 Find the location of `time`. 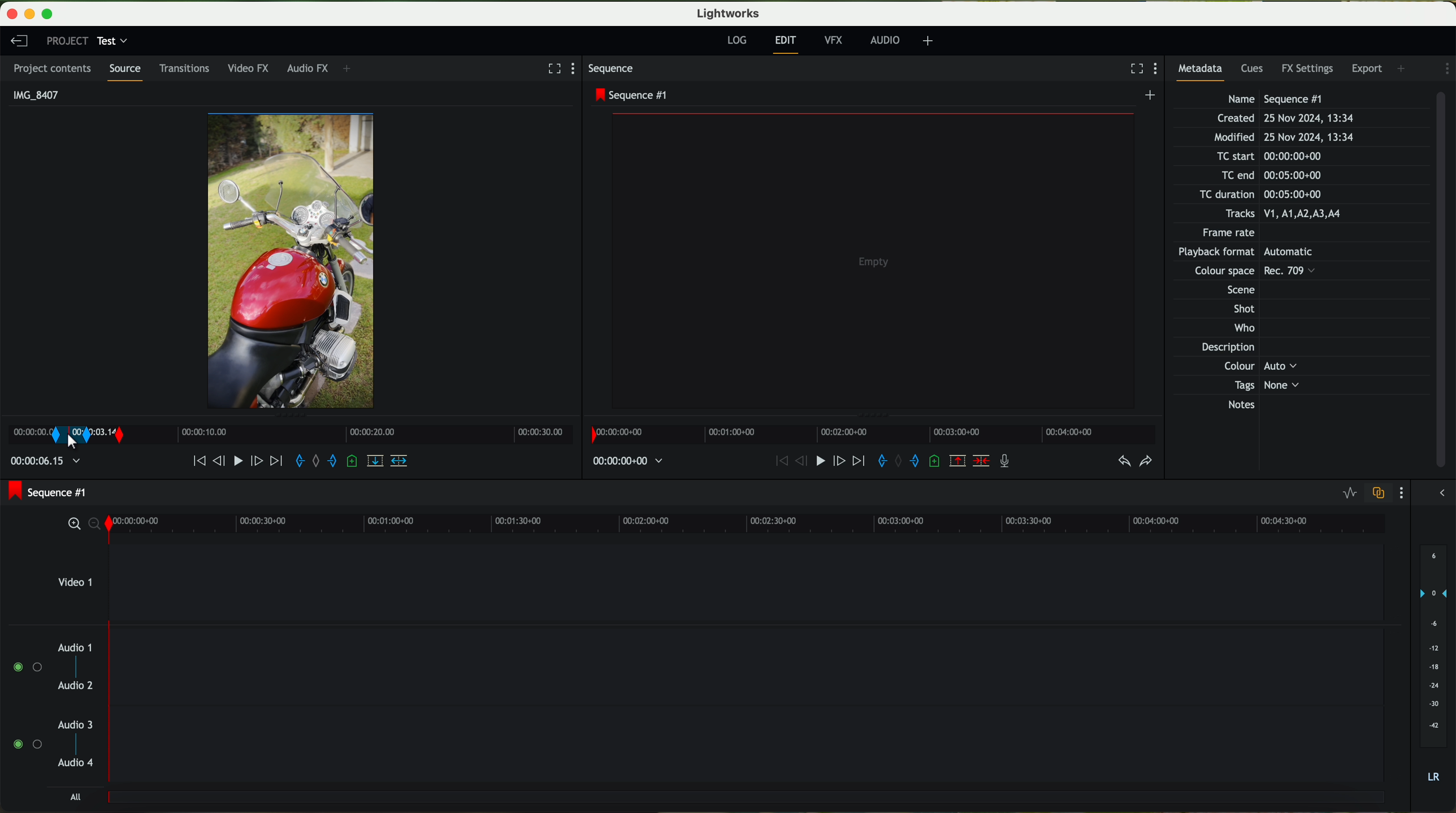

time is located at coordinates (48, 462).